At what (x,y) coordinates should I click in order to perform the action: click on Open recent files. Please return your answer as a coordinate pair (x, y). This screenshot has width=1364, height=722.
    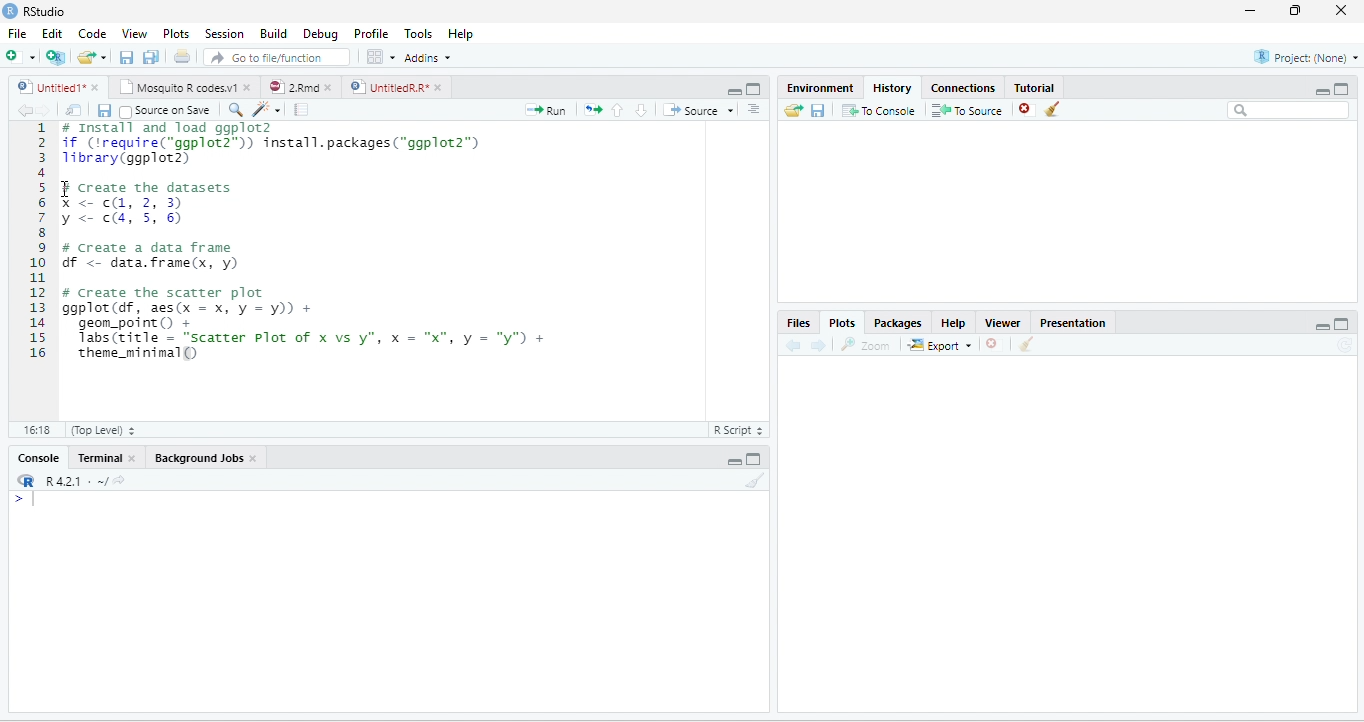
    Looking at the image, I should click on (103, 57).